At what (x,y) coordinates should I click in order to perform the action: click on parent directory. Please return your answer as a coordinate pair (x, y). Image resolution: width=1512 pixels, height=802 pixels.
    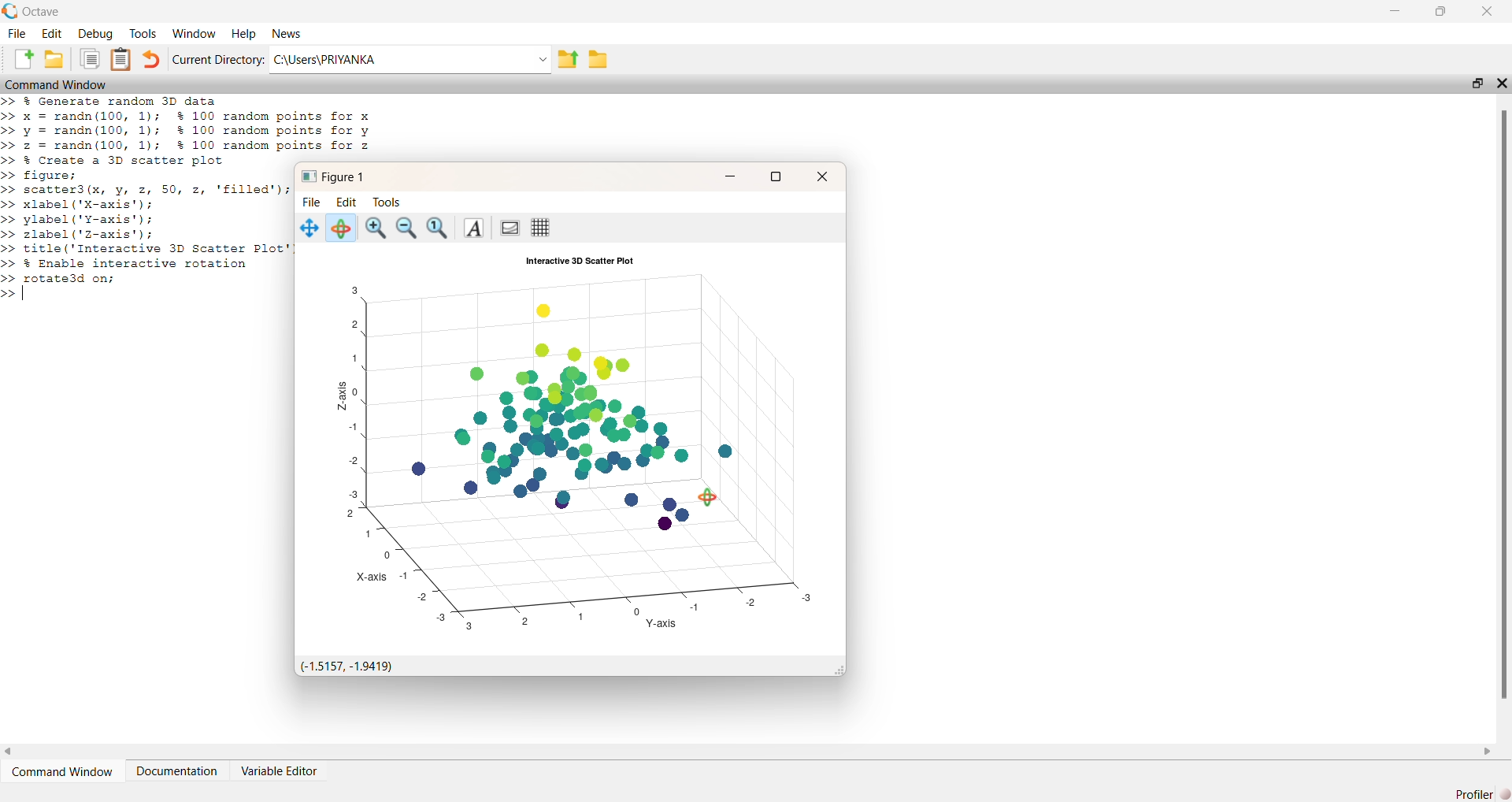
    Looking at the image, I should click on (569, 60).